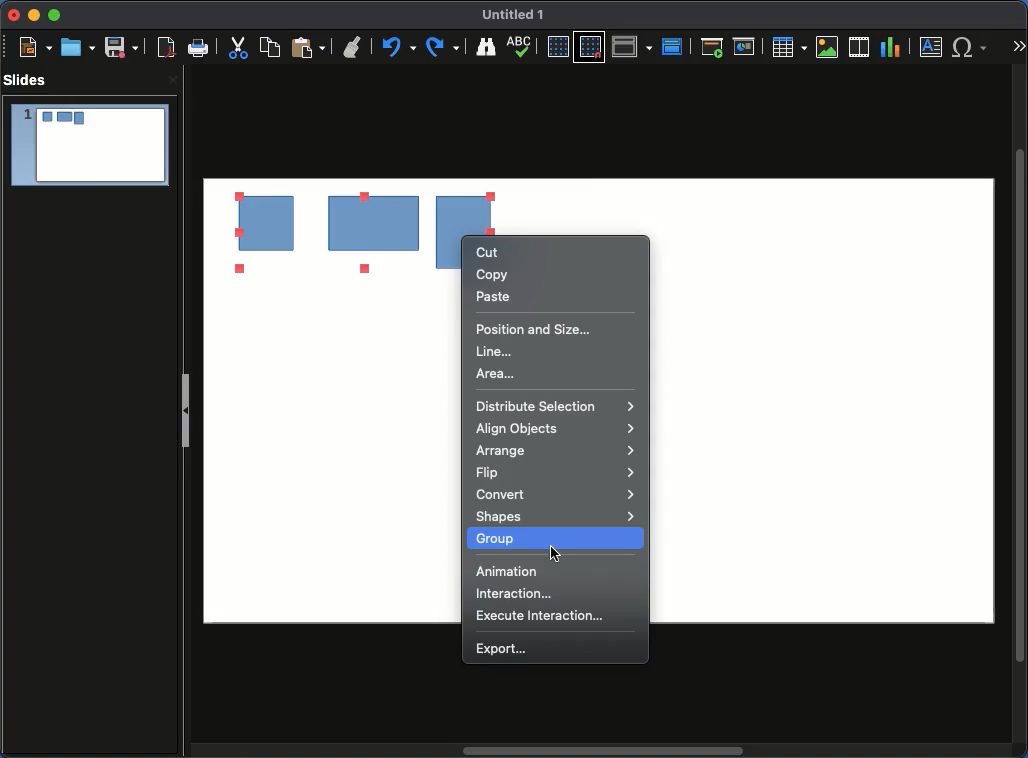 The height and width of the screenshot is (758, 1028). Describe the element at coordinates (498, 274) in the screenshot. I see `Copy` at that location.